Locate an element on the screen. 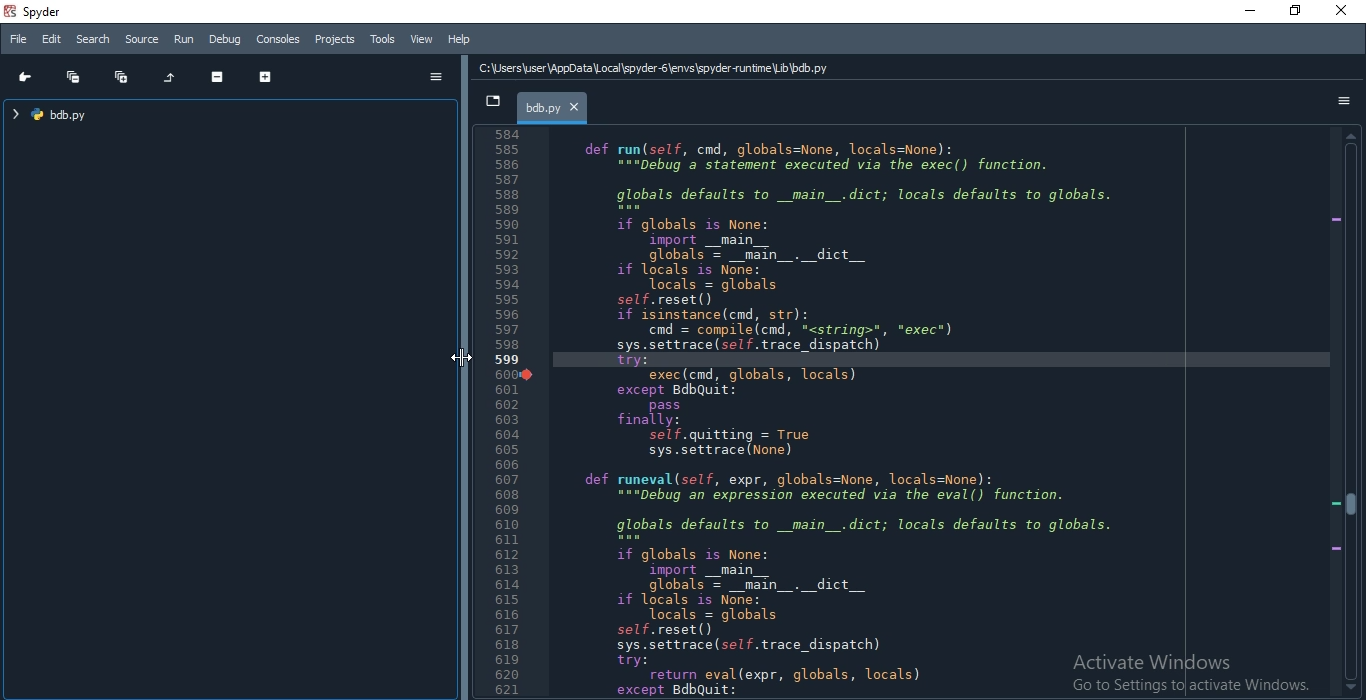 The image size is (1366, 700). Source is located at coordinates (141, 40).